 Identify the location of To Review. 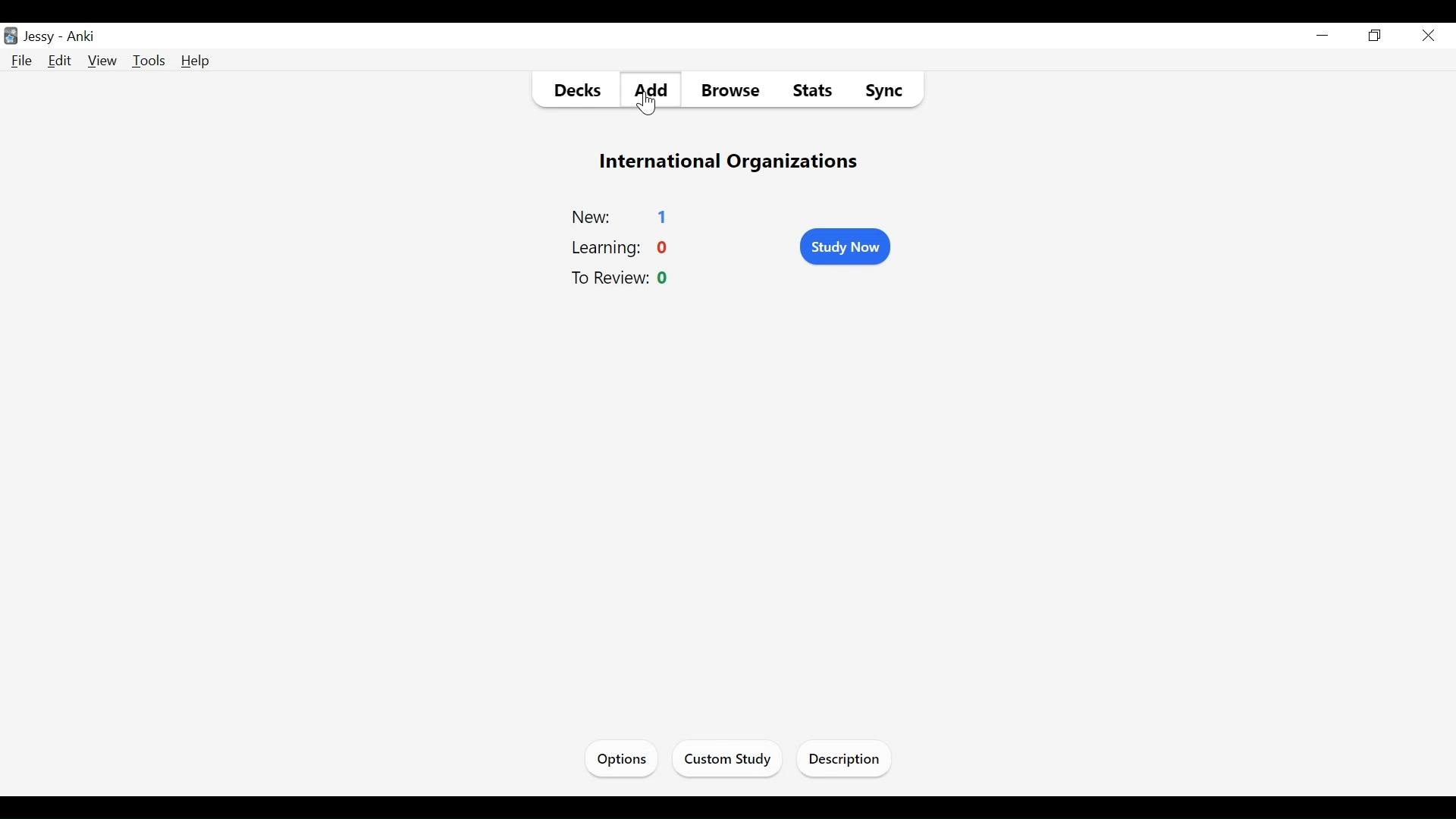
(607, 277).